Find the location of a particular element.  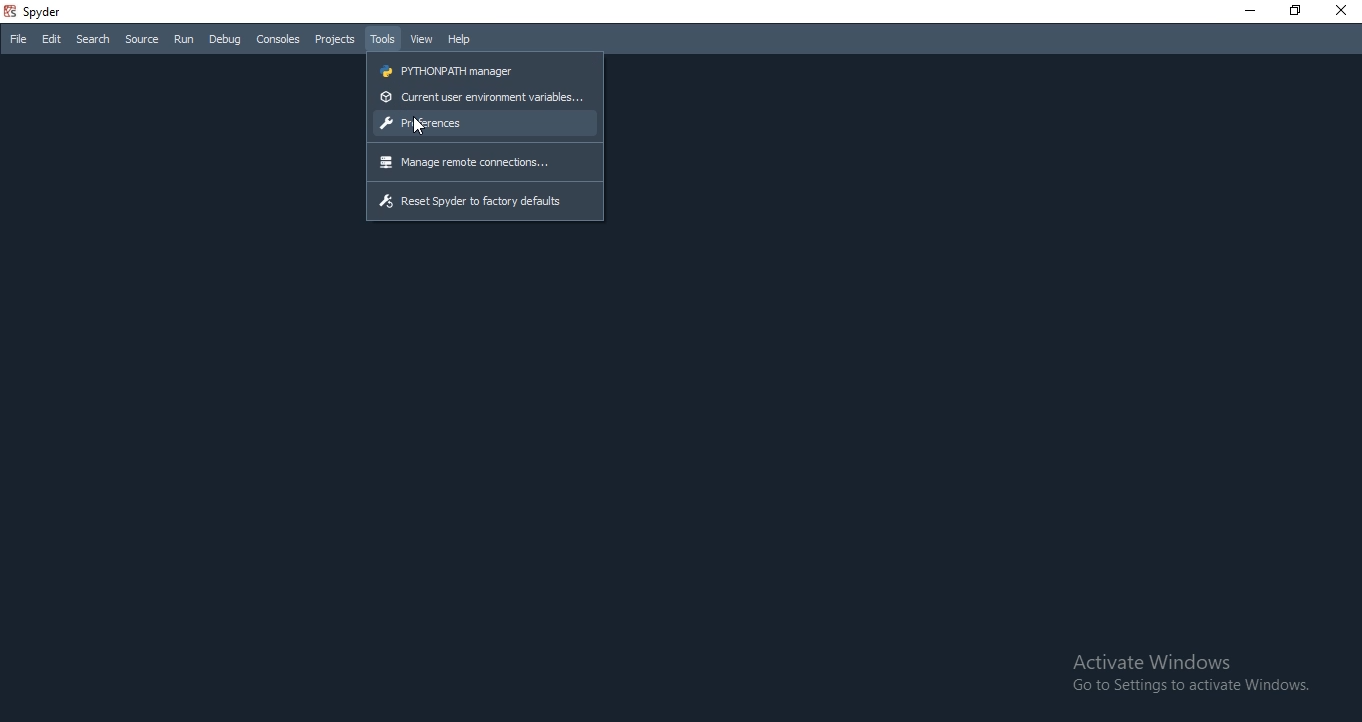

Current user environment variables is located at coordinates (479, 100).